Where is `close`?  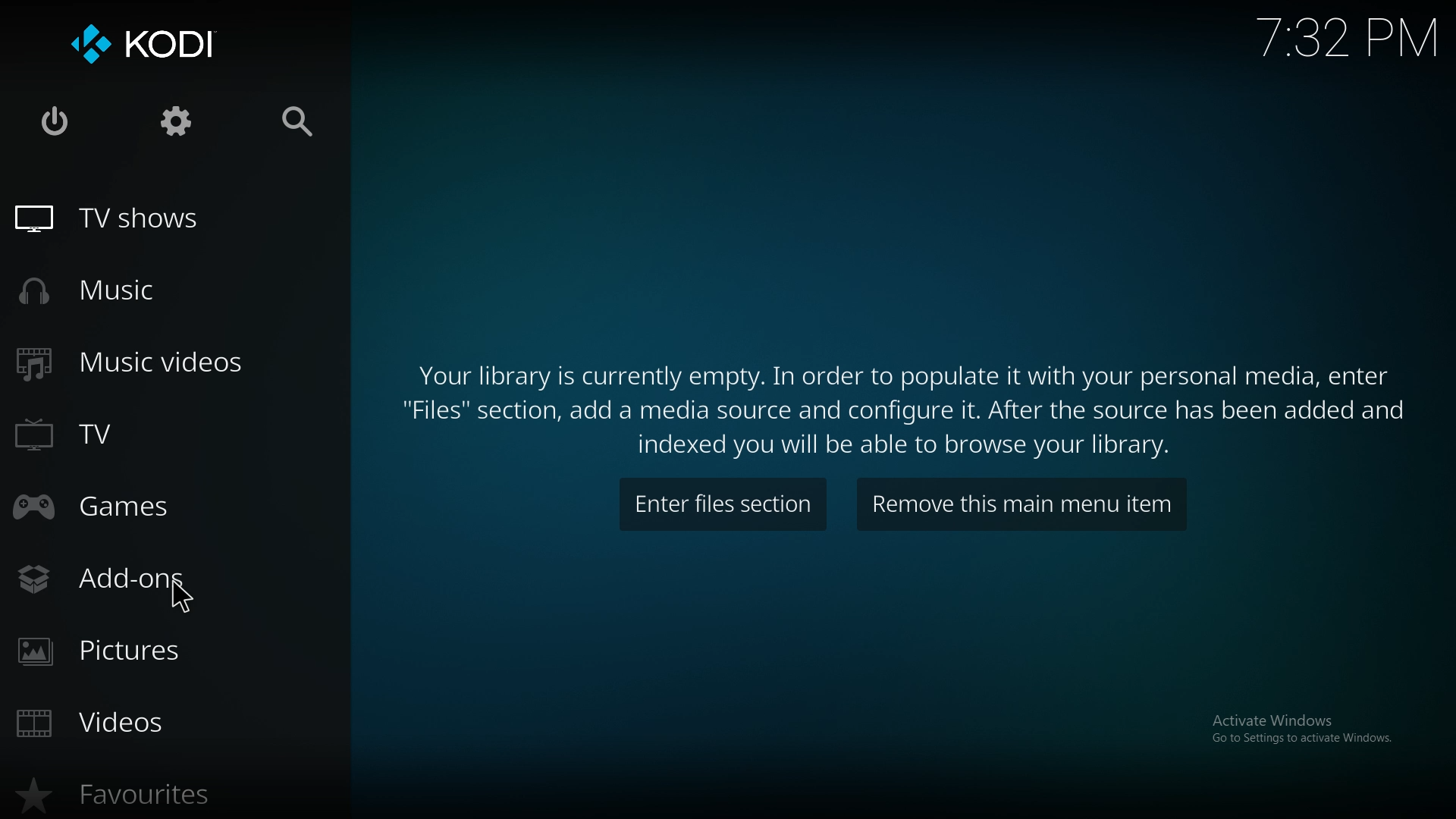 close is located at coordinates (53, 119).